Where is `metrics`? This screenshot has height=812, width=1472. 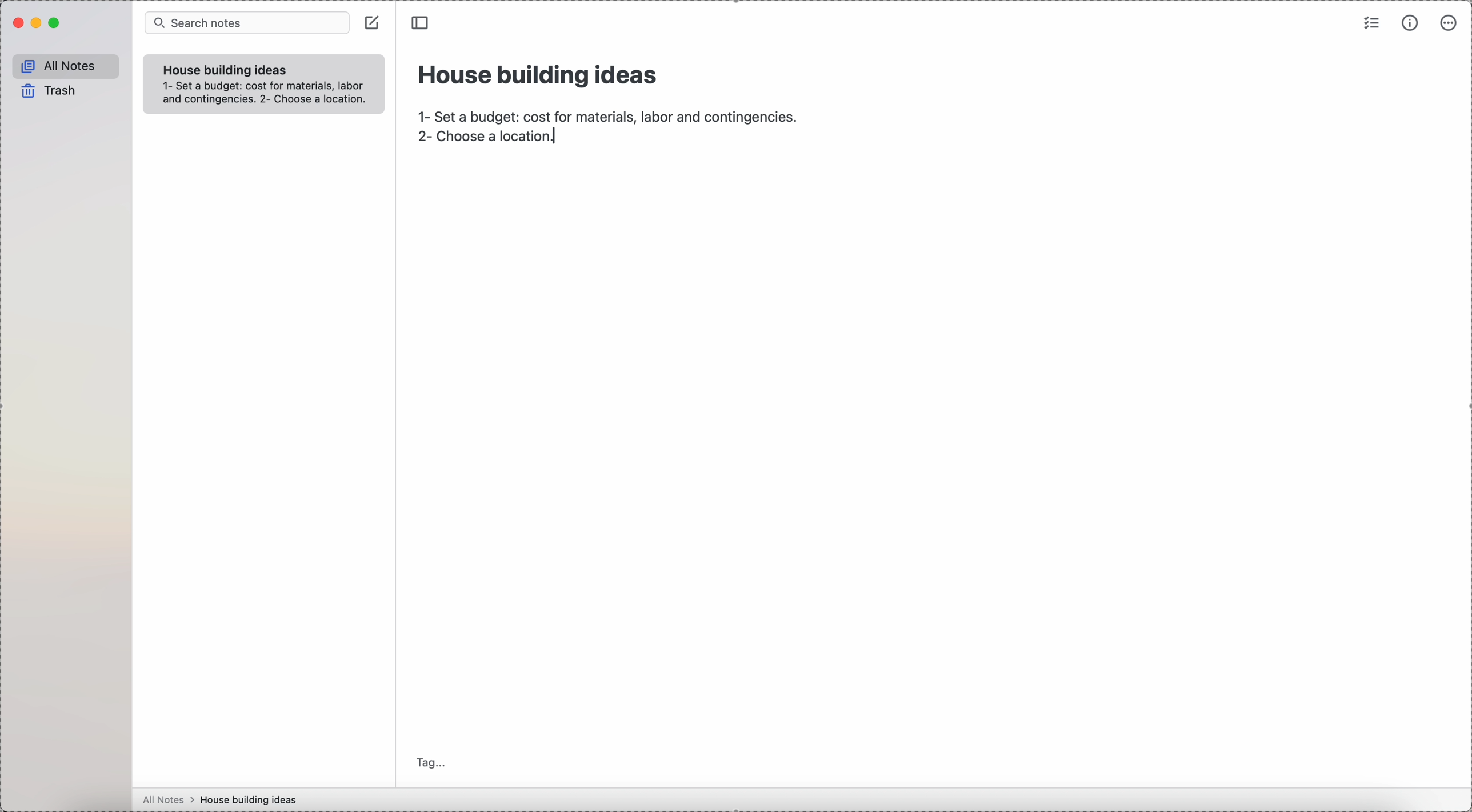
metrics is located at coordinates (1410, 25).